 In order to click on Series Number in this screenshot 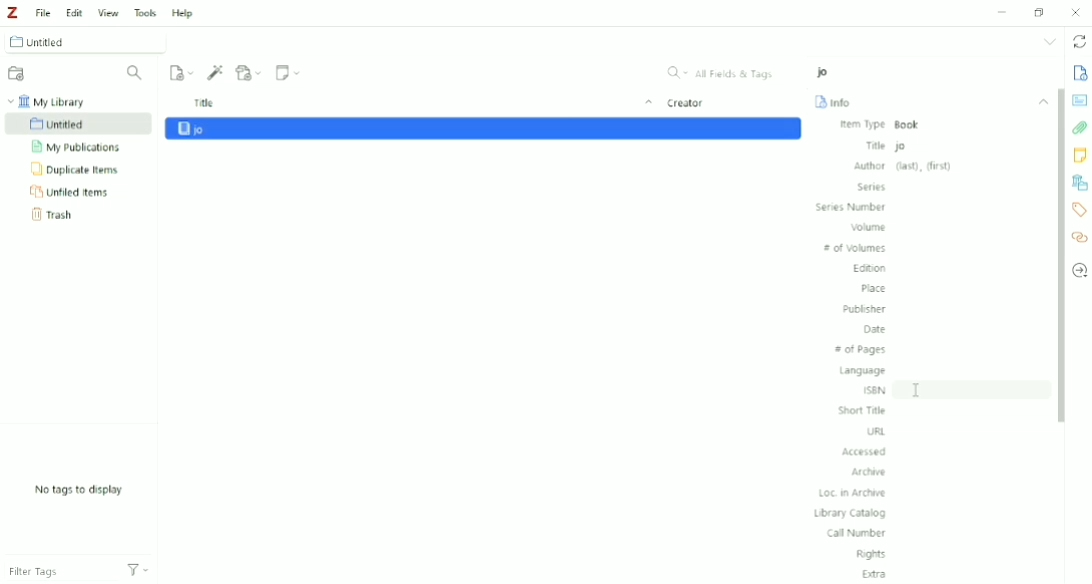, I will do `click(850, 207)`.